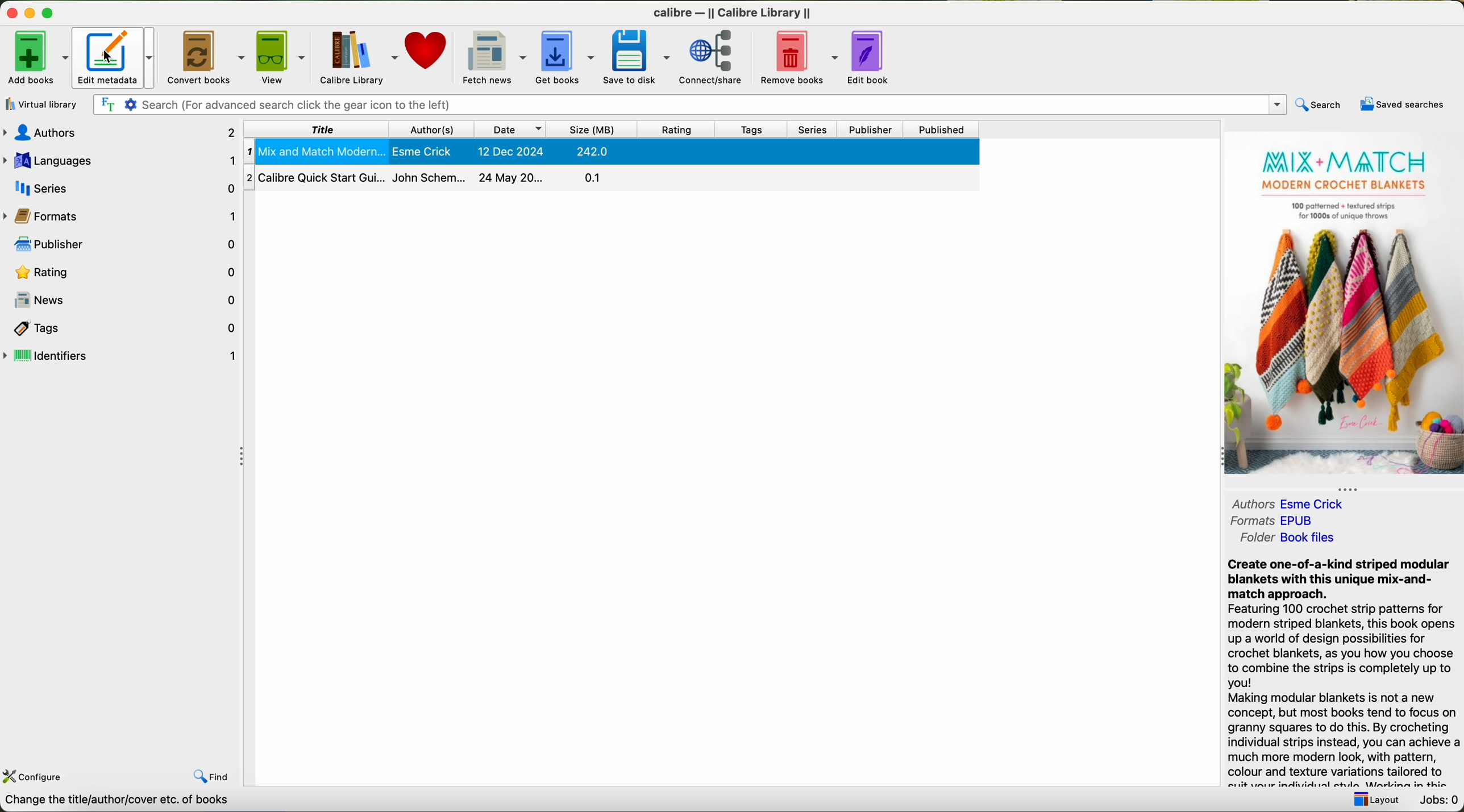  Describe the element at coordinates (434, 129) in the screenshot. I see `author(s)` at that location.